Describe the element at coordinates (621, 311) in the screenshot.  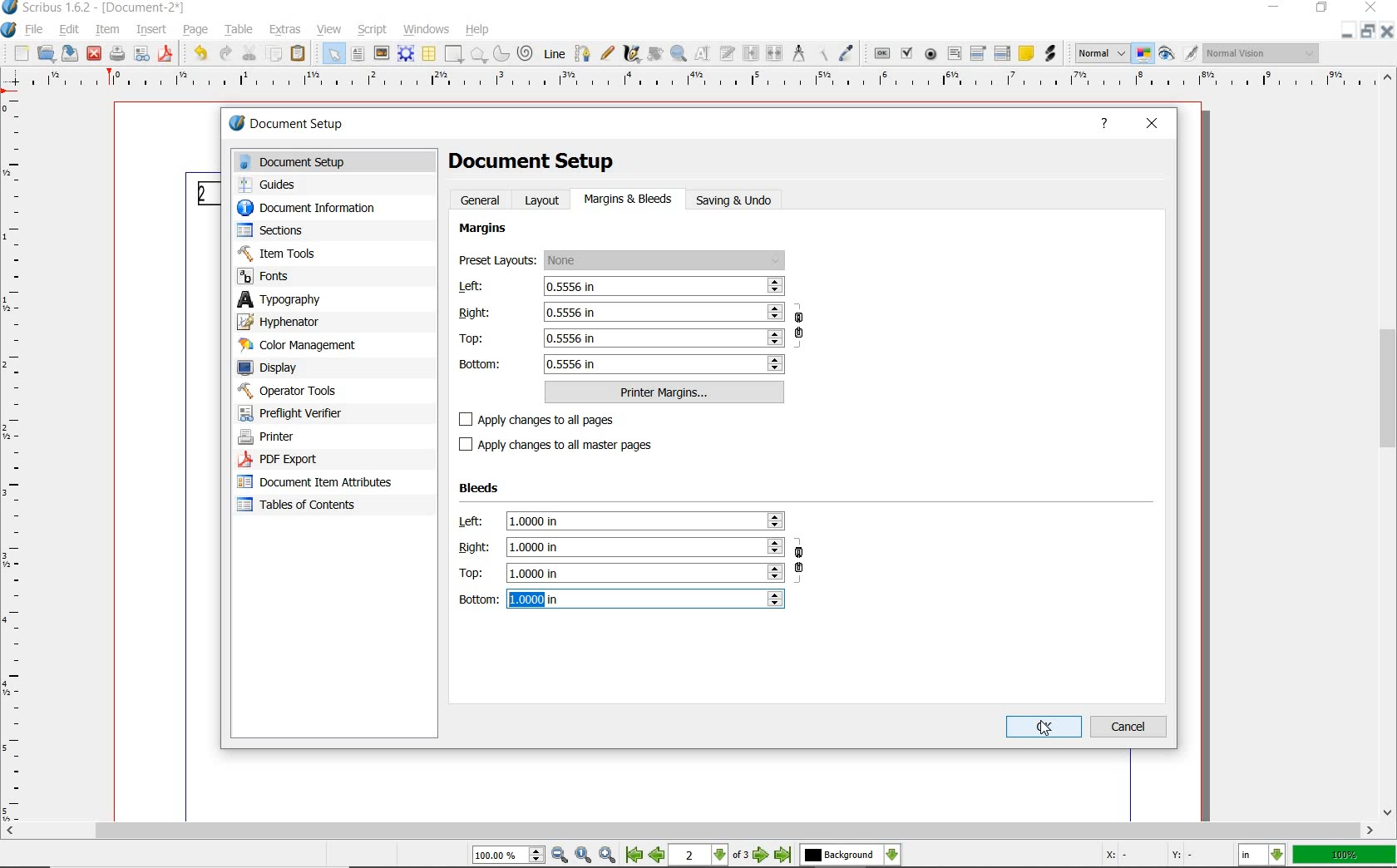
I see `Right` at that location.